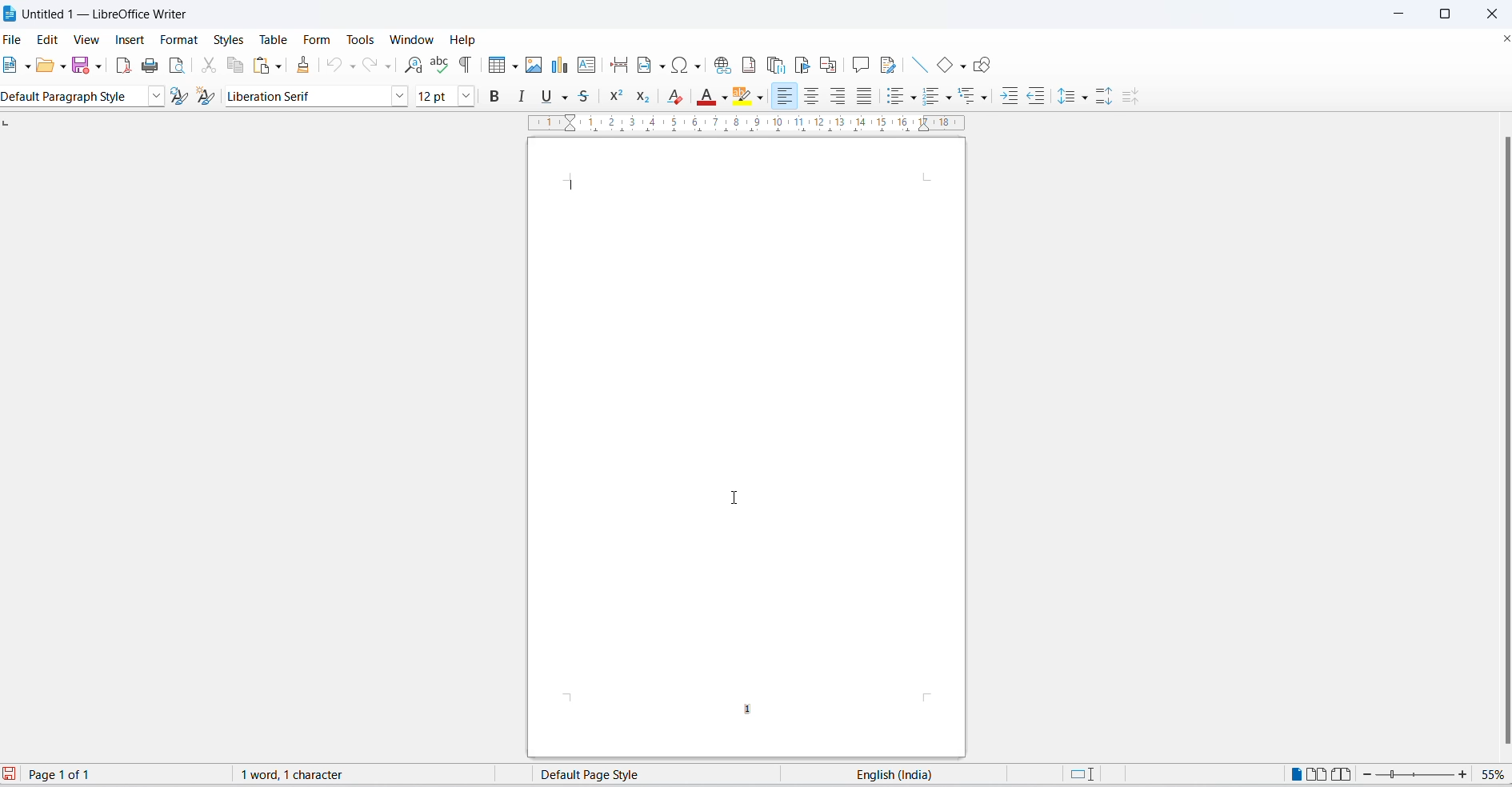 This screenshot has height=787, width=1512. Describe the element at coordinates (1086, 98) in the screenshot. I see `line spacing options` at that location.